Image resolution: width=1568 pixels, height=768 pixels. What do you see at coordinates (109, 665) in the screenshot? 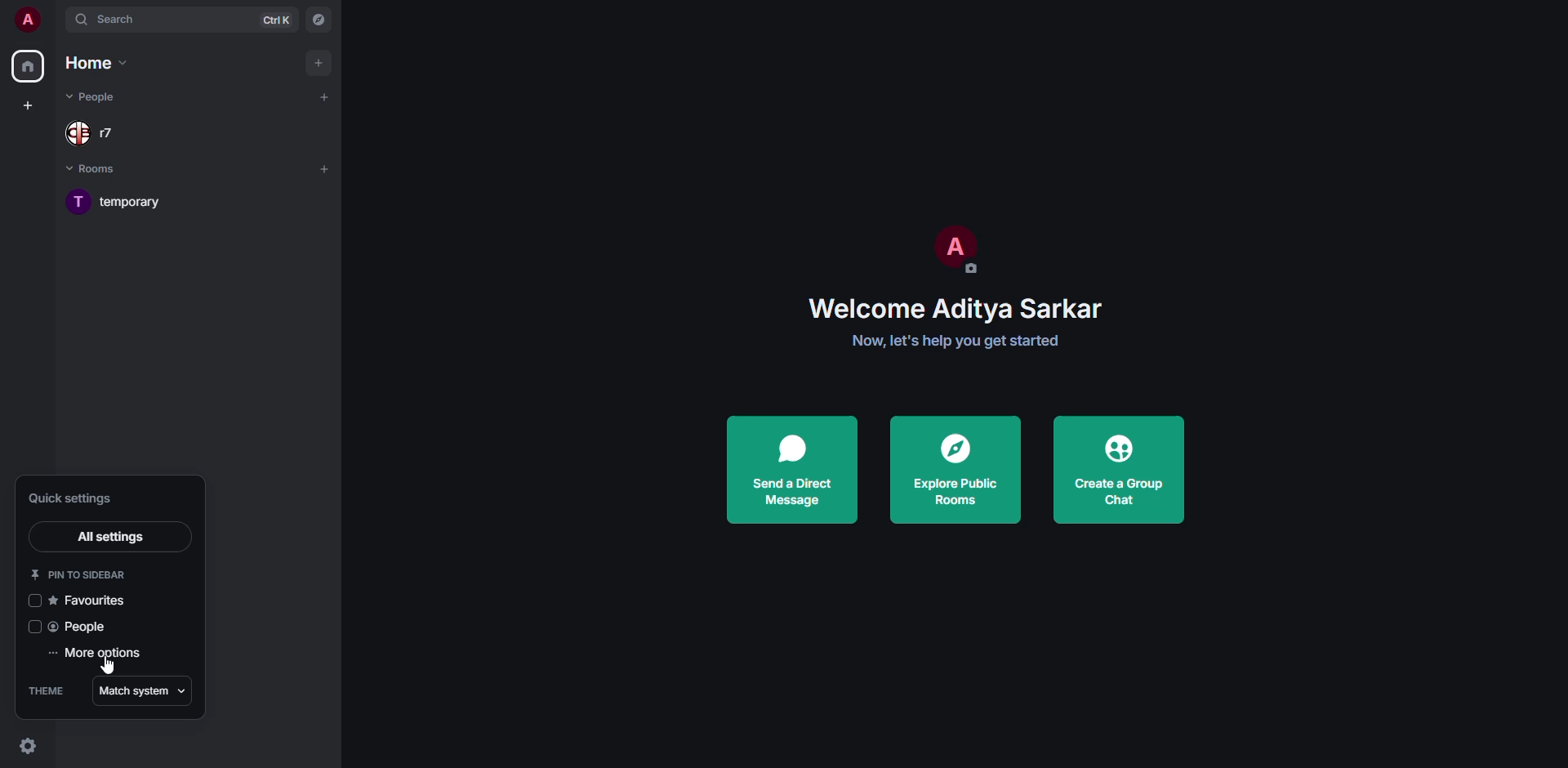
I see `cursor` at bounding box center [109, 665].